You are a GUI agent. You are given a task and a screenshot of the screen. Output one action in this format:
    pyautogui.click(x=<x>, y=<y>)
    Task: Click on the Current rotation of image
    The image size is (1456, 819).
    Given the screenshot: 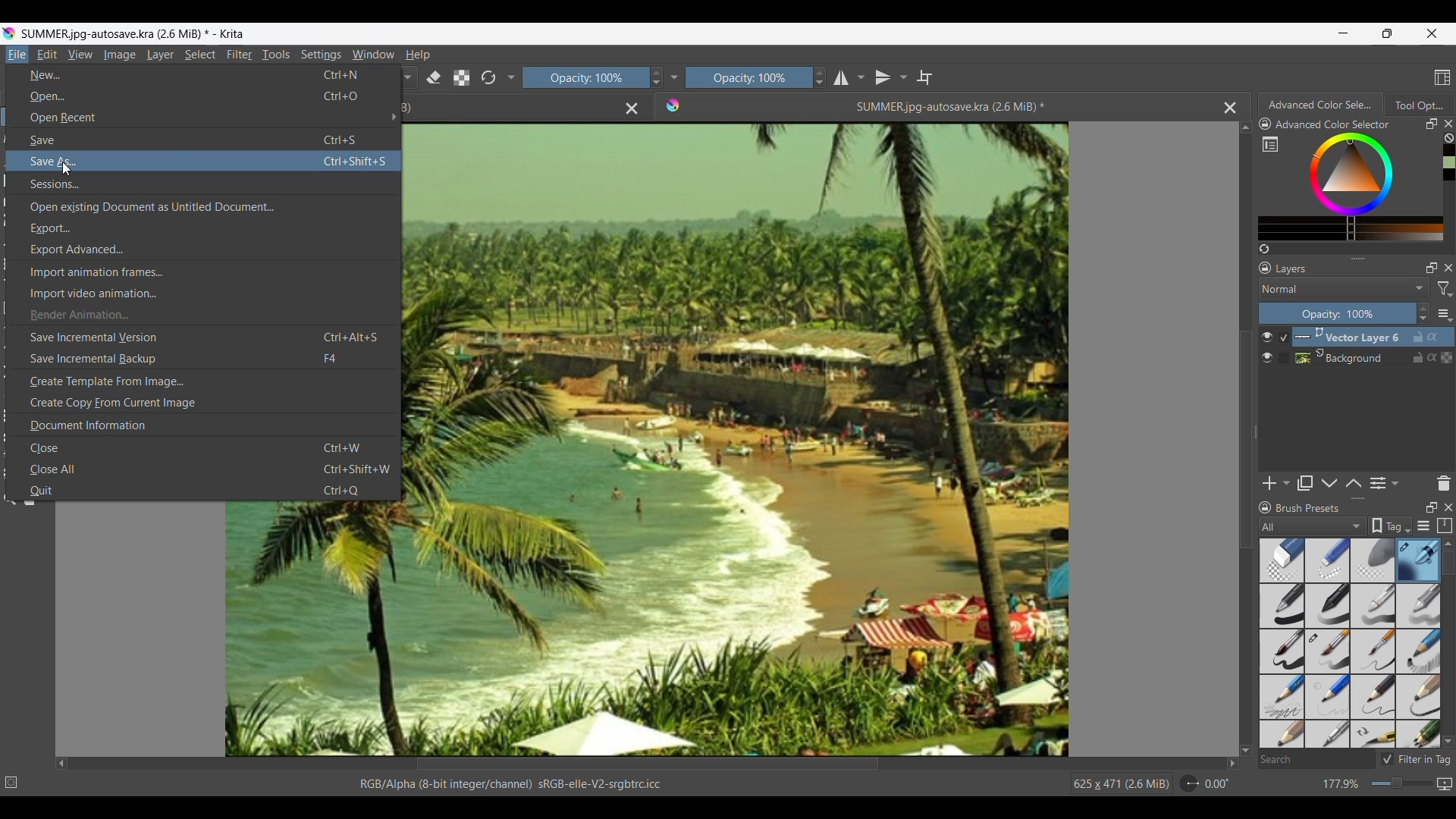 What is the action you would take?
    pyautogui.click(x=1217, y=784)
    